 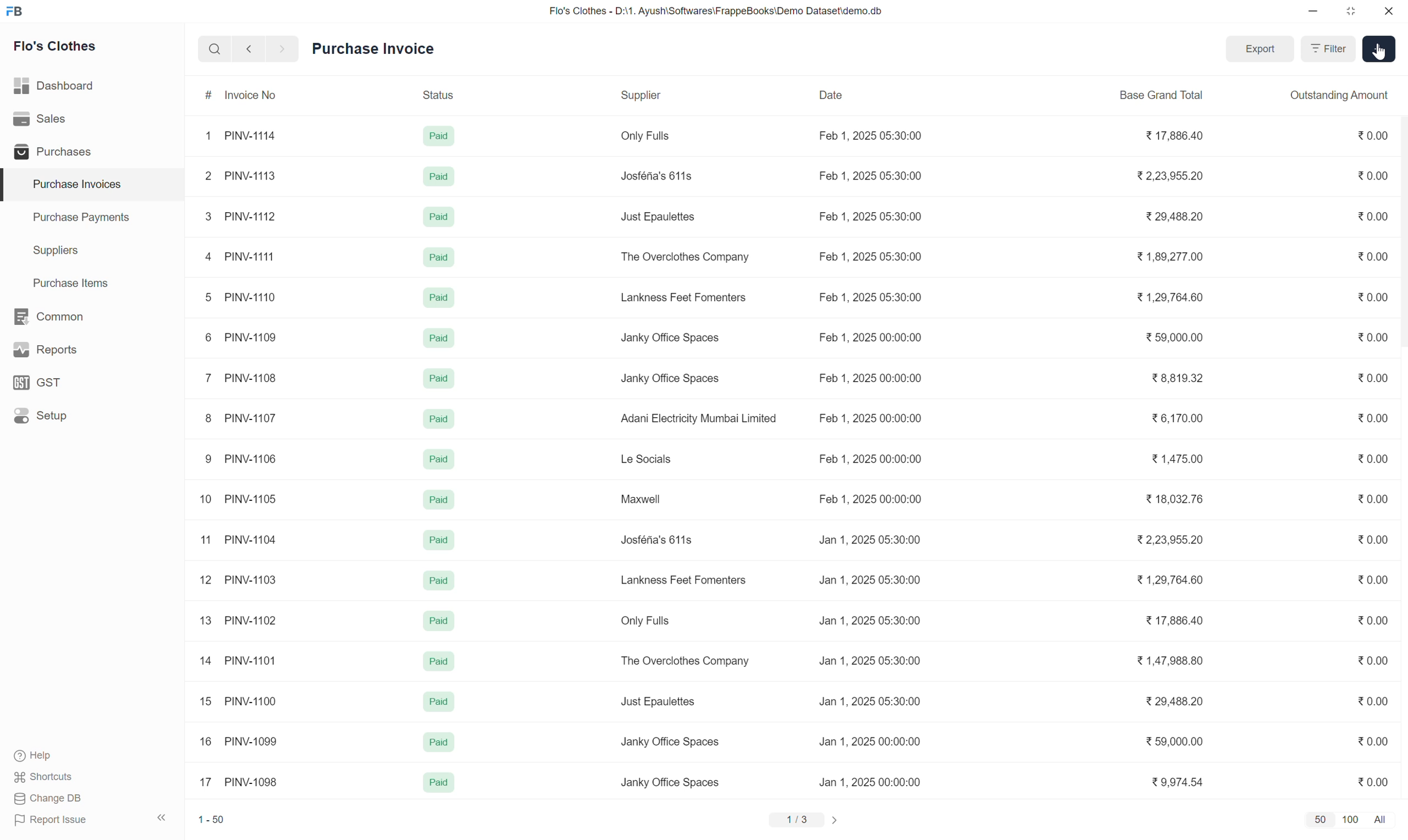 What do you see at coordinates (440, 379) in the screenshot?
I see `Paid` at bounding box center [440, 379].